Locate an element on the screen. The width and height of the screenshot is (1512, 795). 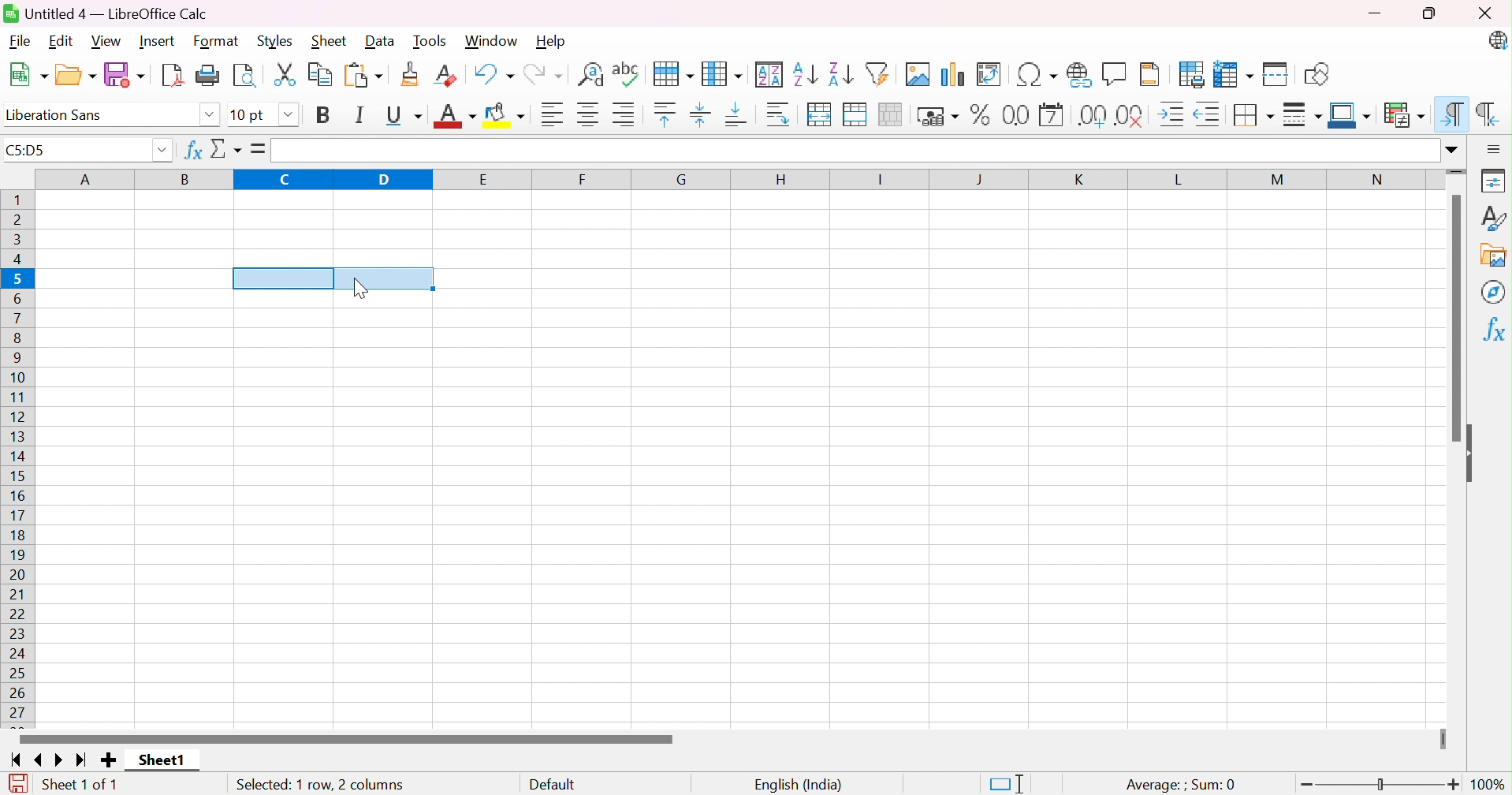
Cut is located at coordinates (287, 75).